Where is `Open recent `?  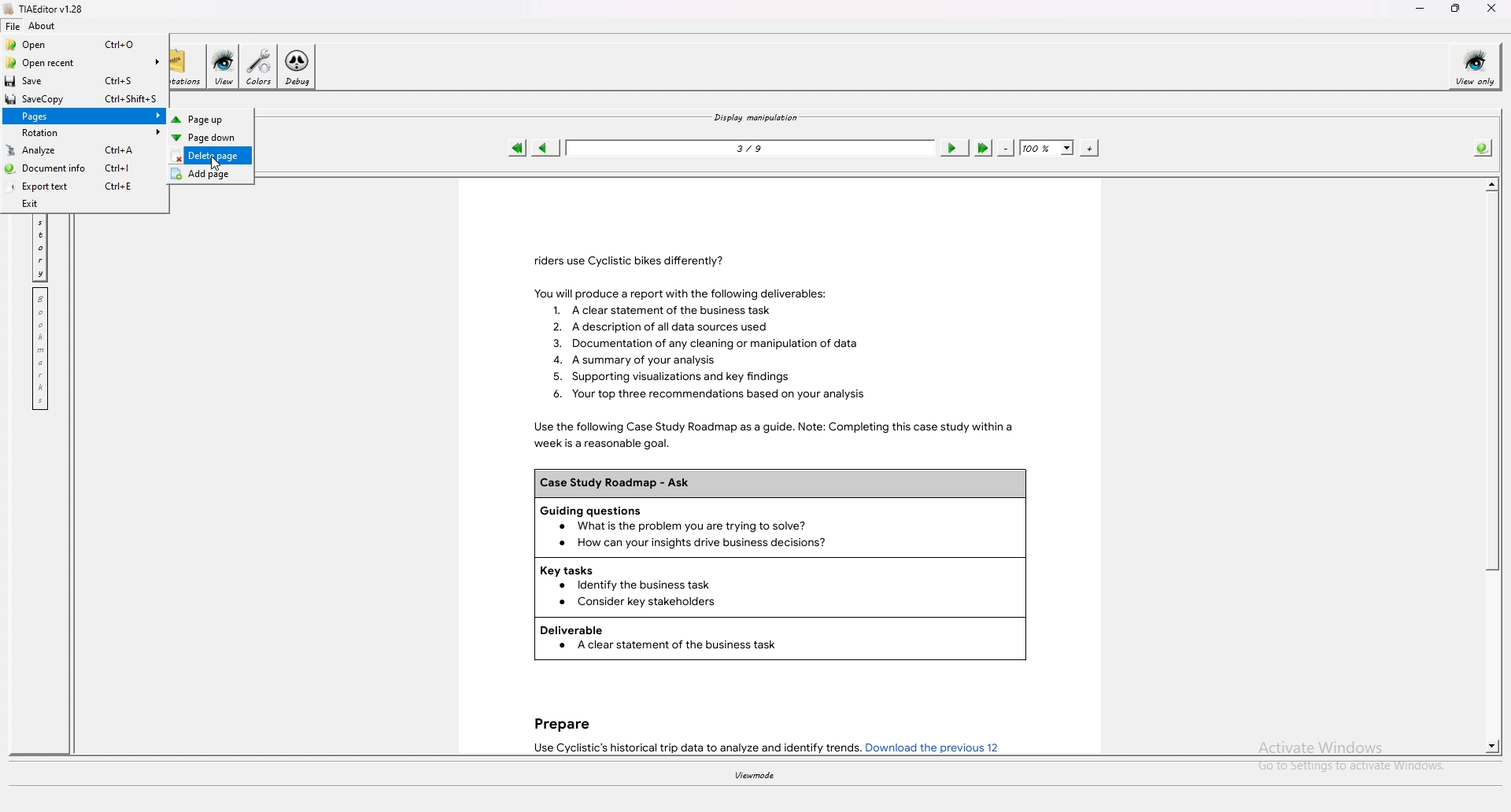
Open recent  is located at coordinates (84, 62).